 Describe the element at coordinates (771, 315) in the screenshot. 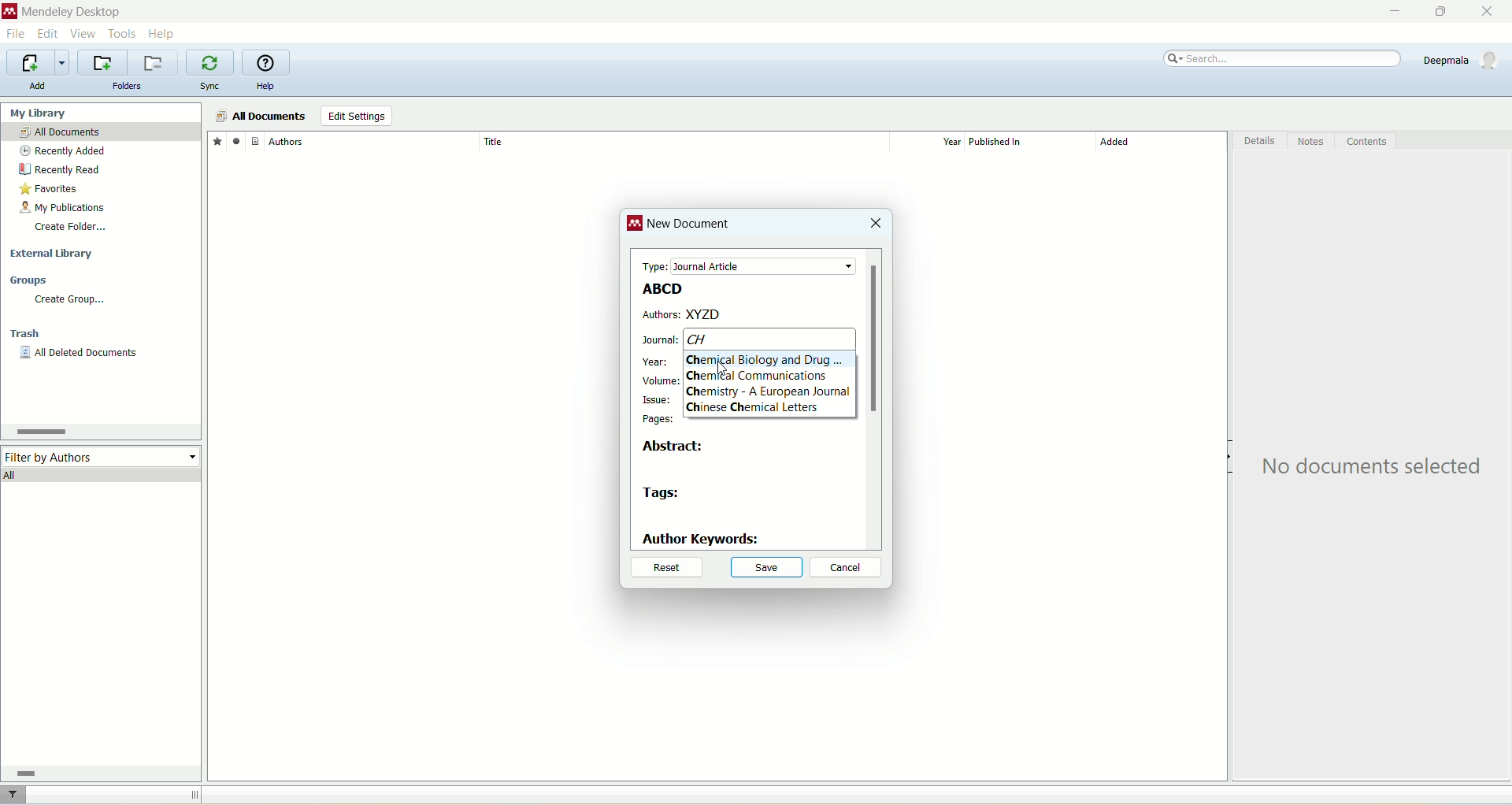

I see `XYZD` at that location.